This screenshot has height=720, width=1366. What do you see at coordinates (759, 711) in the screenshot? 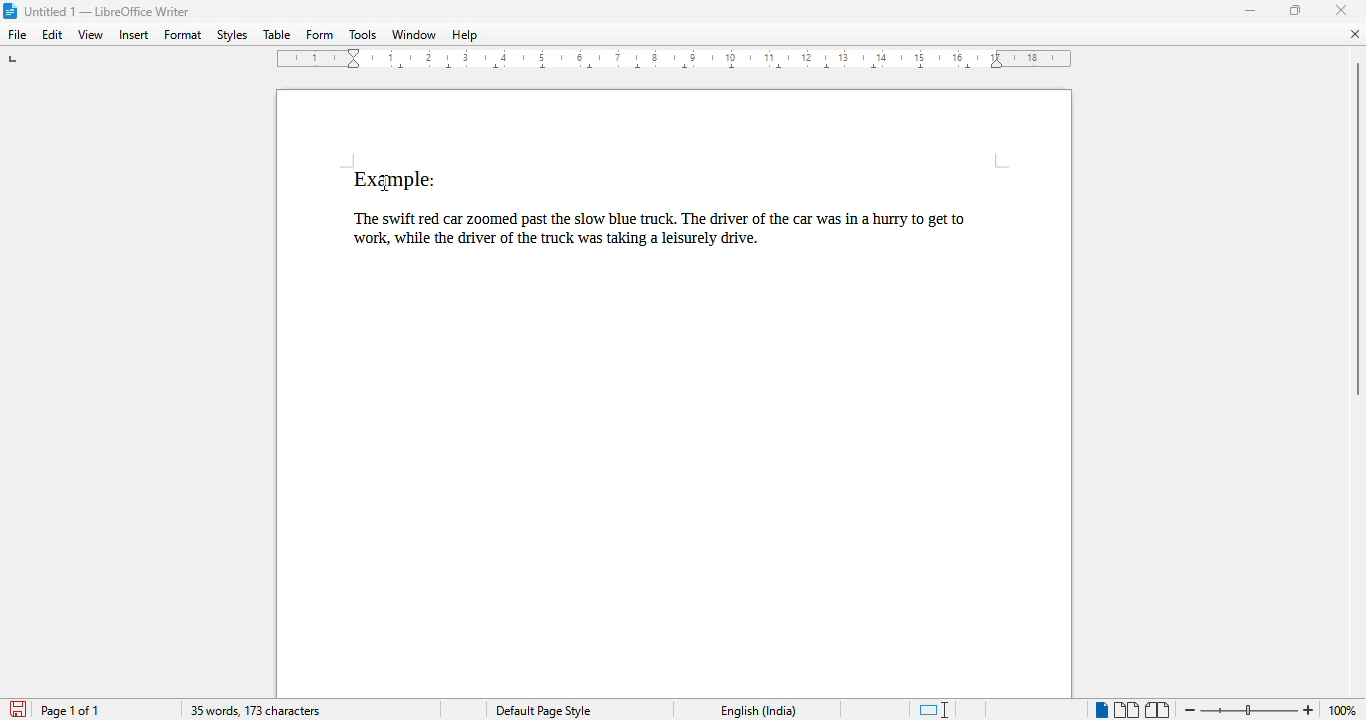
I see `English (India)` at bounding box center [759, 711].